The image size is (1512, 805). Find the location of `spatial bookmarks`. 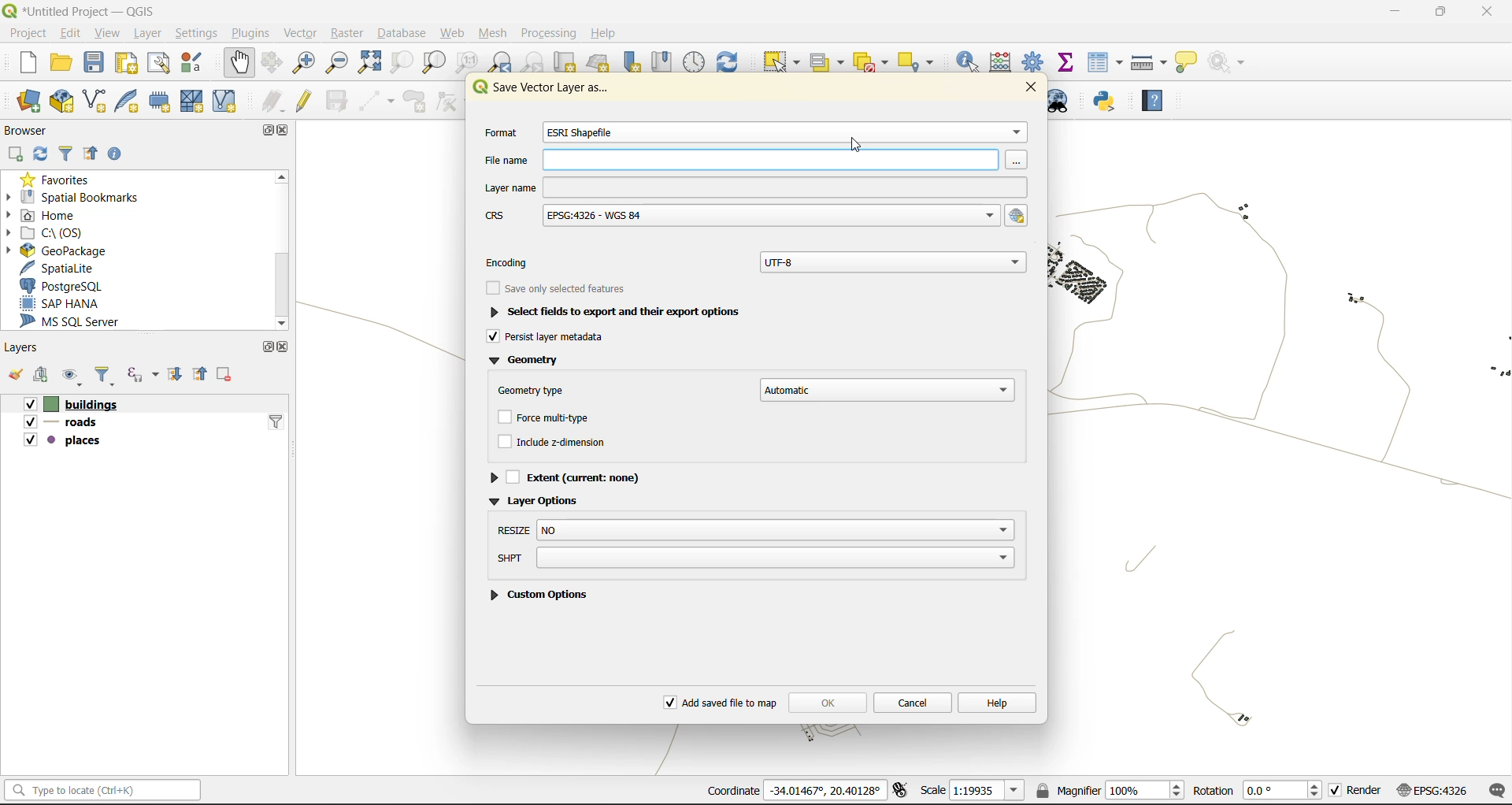

spatial bookmarks is located at coordinates (81, 198).